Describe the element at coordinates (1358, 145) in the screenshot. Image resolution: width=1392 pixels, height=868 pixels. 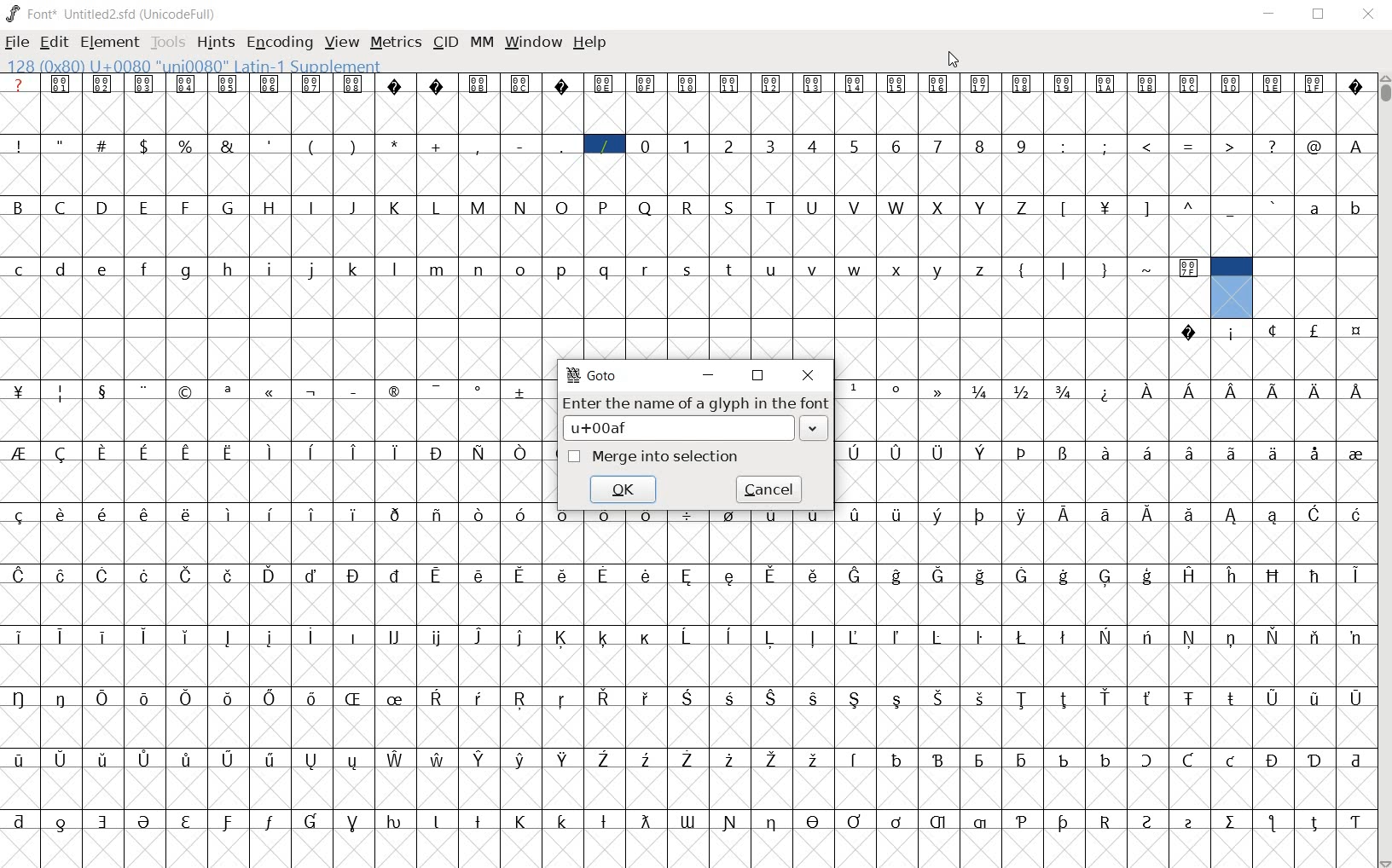
I see `A` at that location.